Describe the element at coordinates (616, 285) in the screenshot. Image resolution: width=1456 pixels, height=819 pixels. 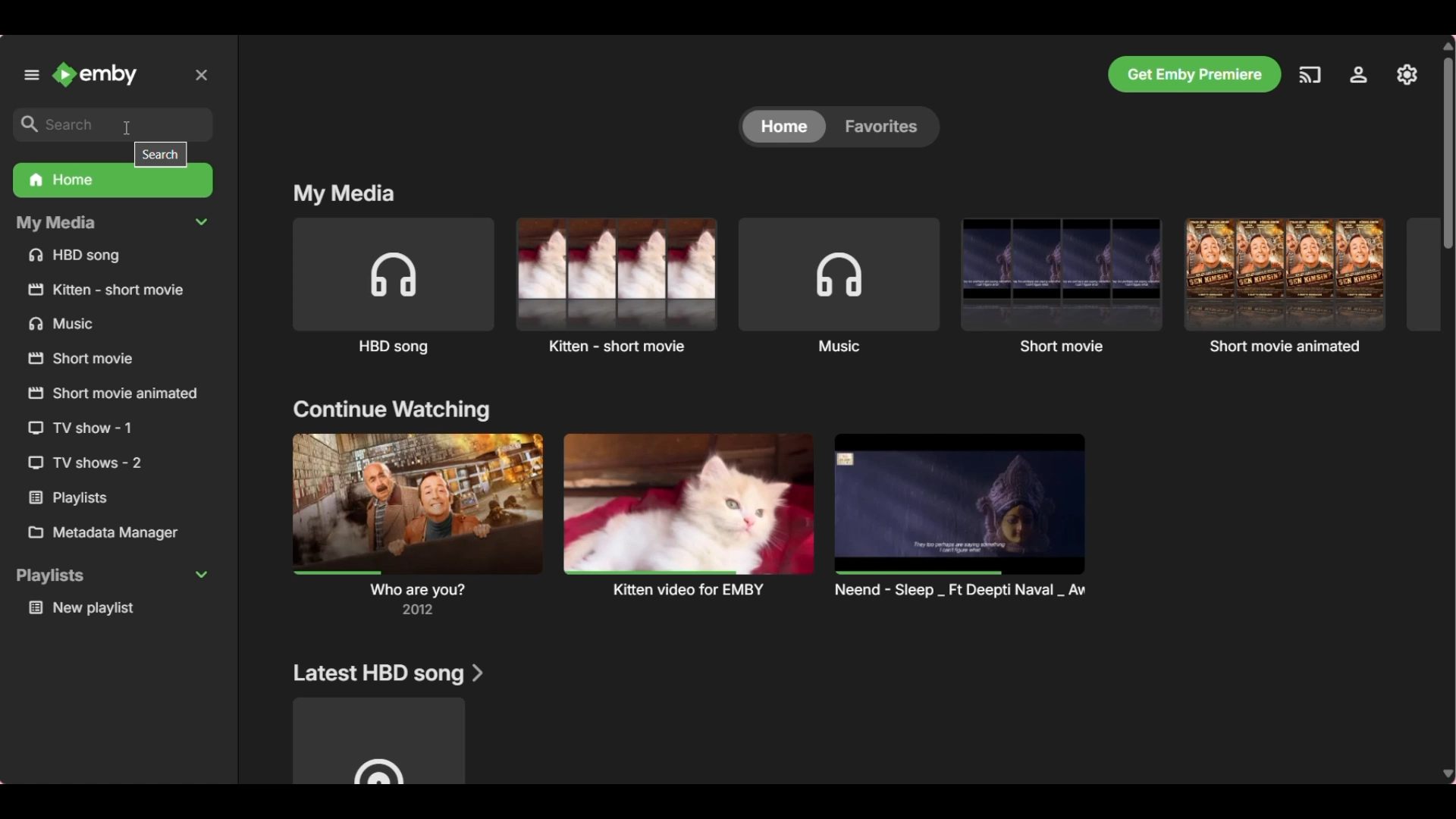
I see `Kitten short movie` at that location.